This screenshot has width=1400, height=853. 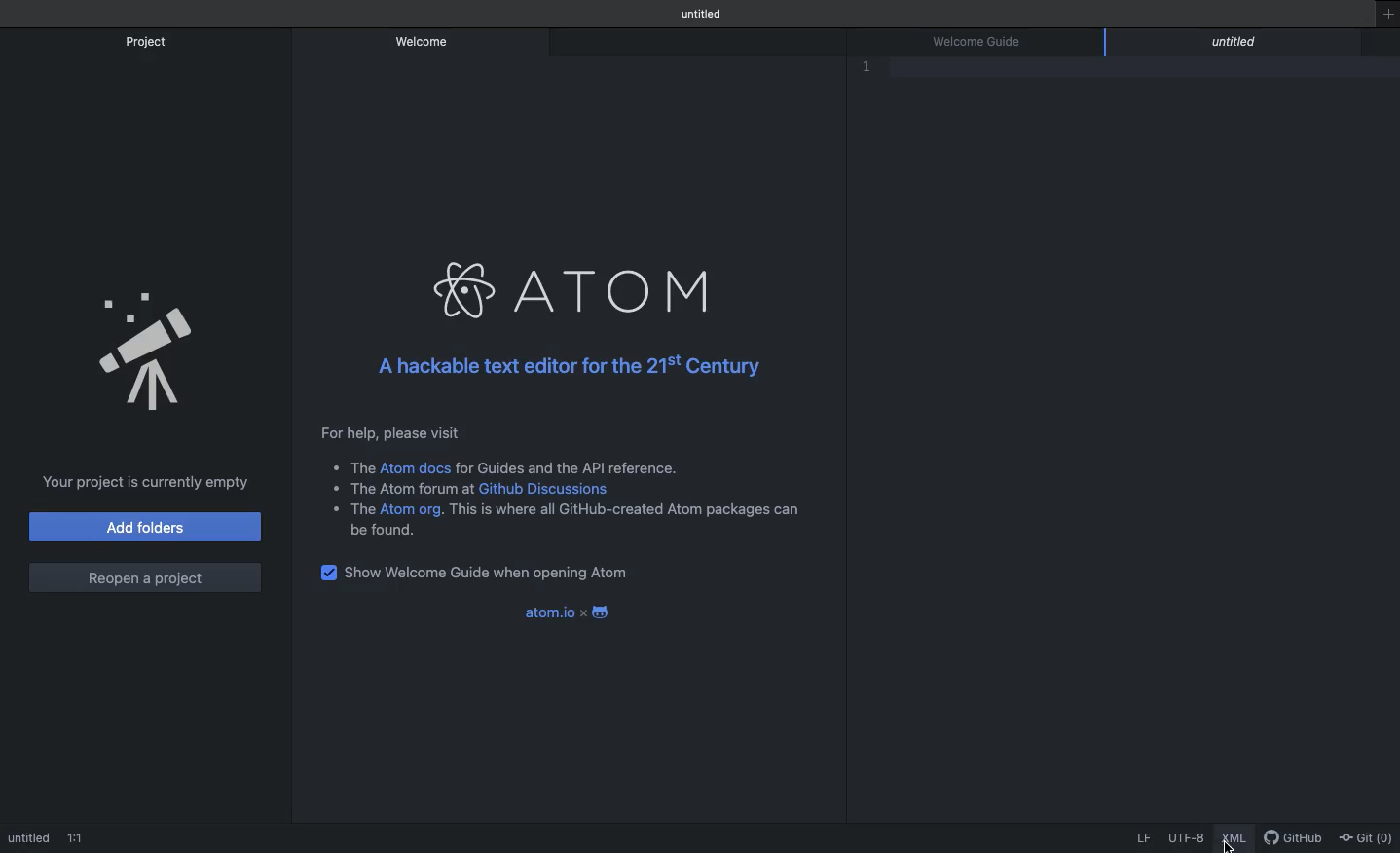 What do you see at coordinates (148, 576) in the screenshot?
I see `Reopen a project` at bounding box center [148, 576].